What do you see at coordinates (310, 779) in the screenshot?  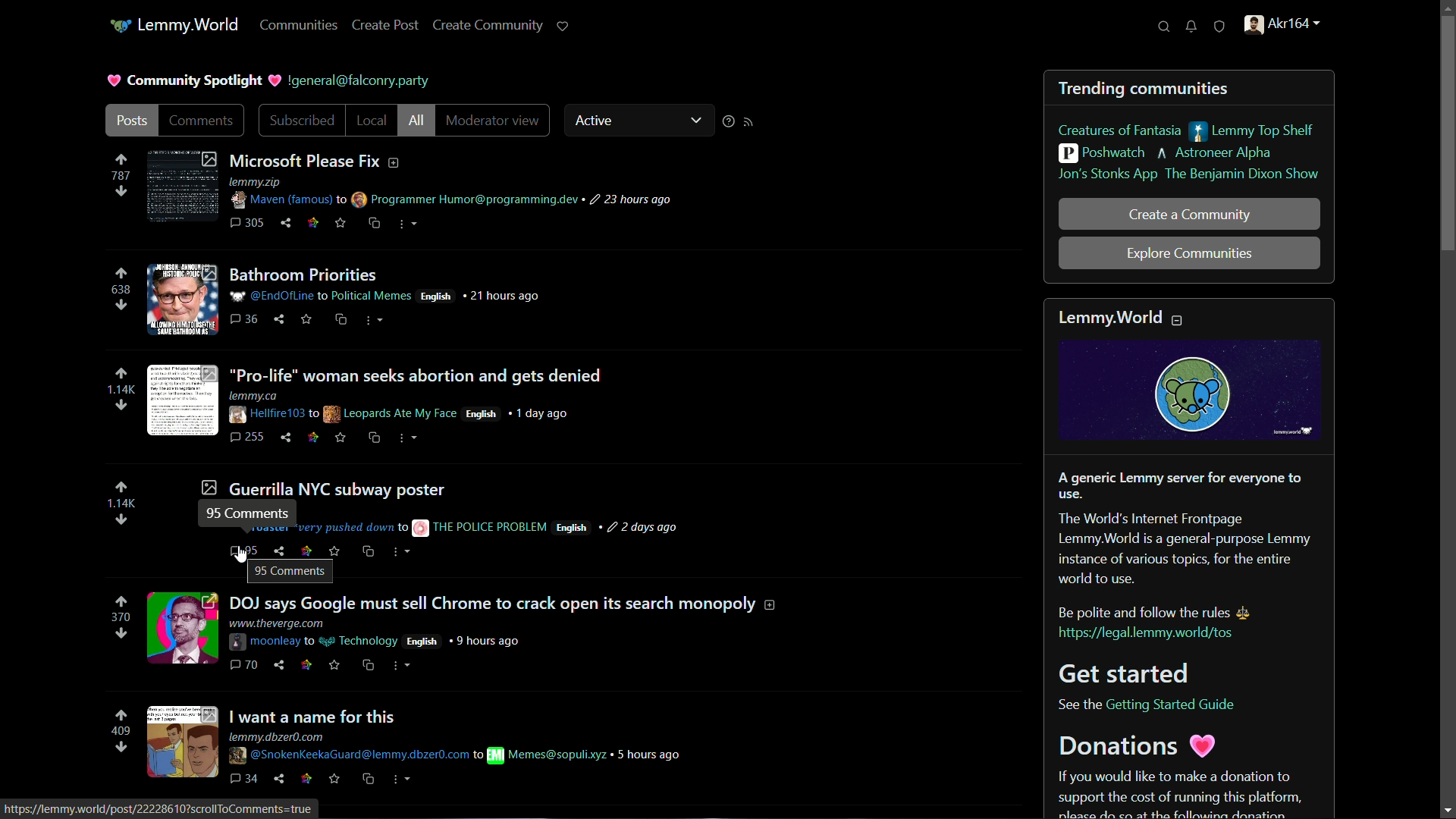 I see `icon` at bounding box center [310, 779].